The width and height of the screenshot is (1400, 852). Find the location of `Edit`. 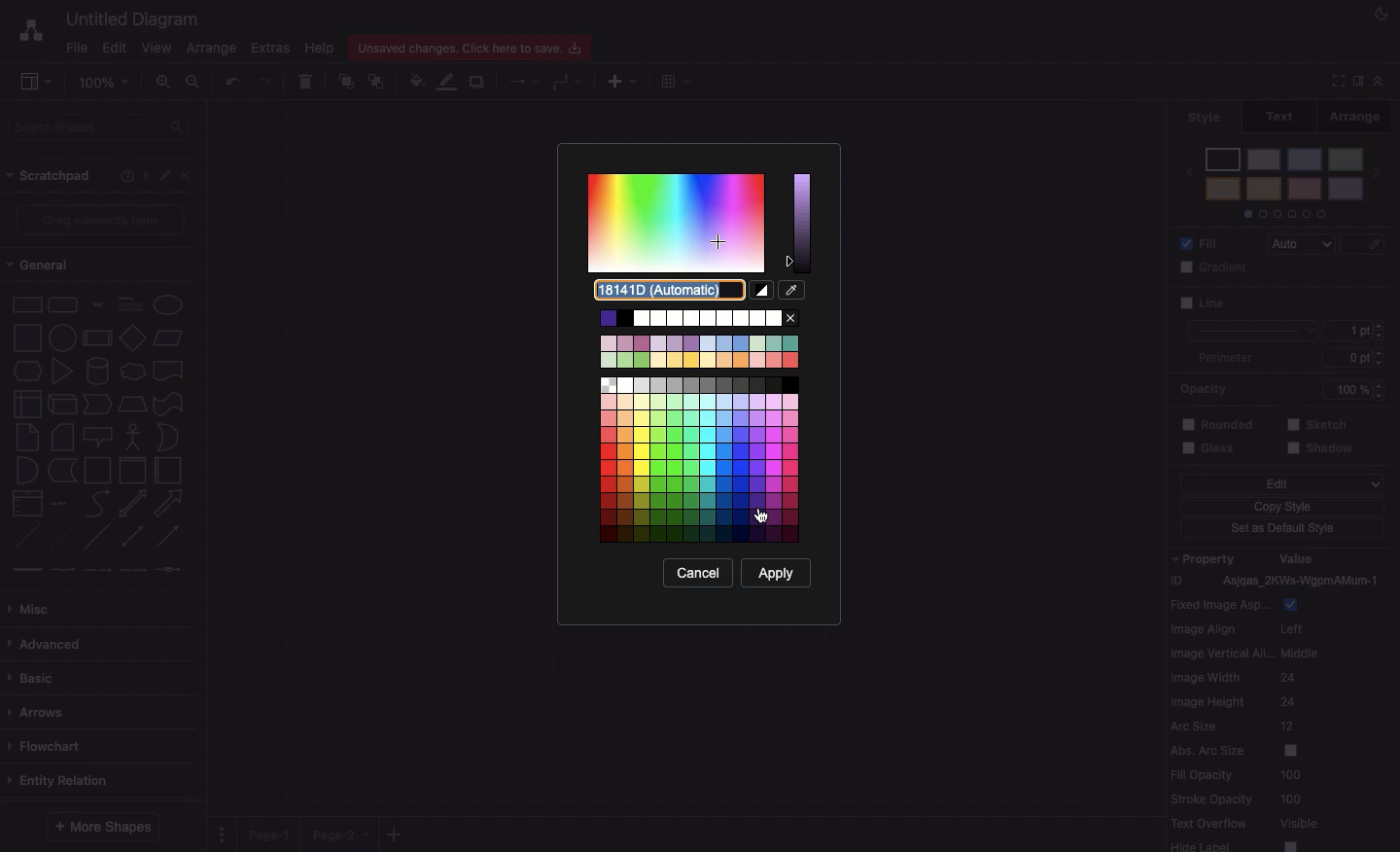

Edit is located at coordinates (114, 47).